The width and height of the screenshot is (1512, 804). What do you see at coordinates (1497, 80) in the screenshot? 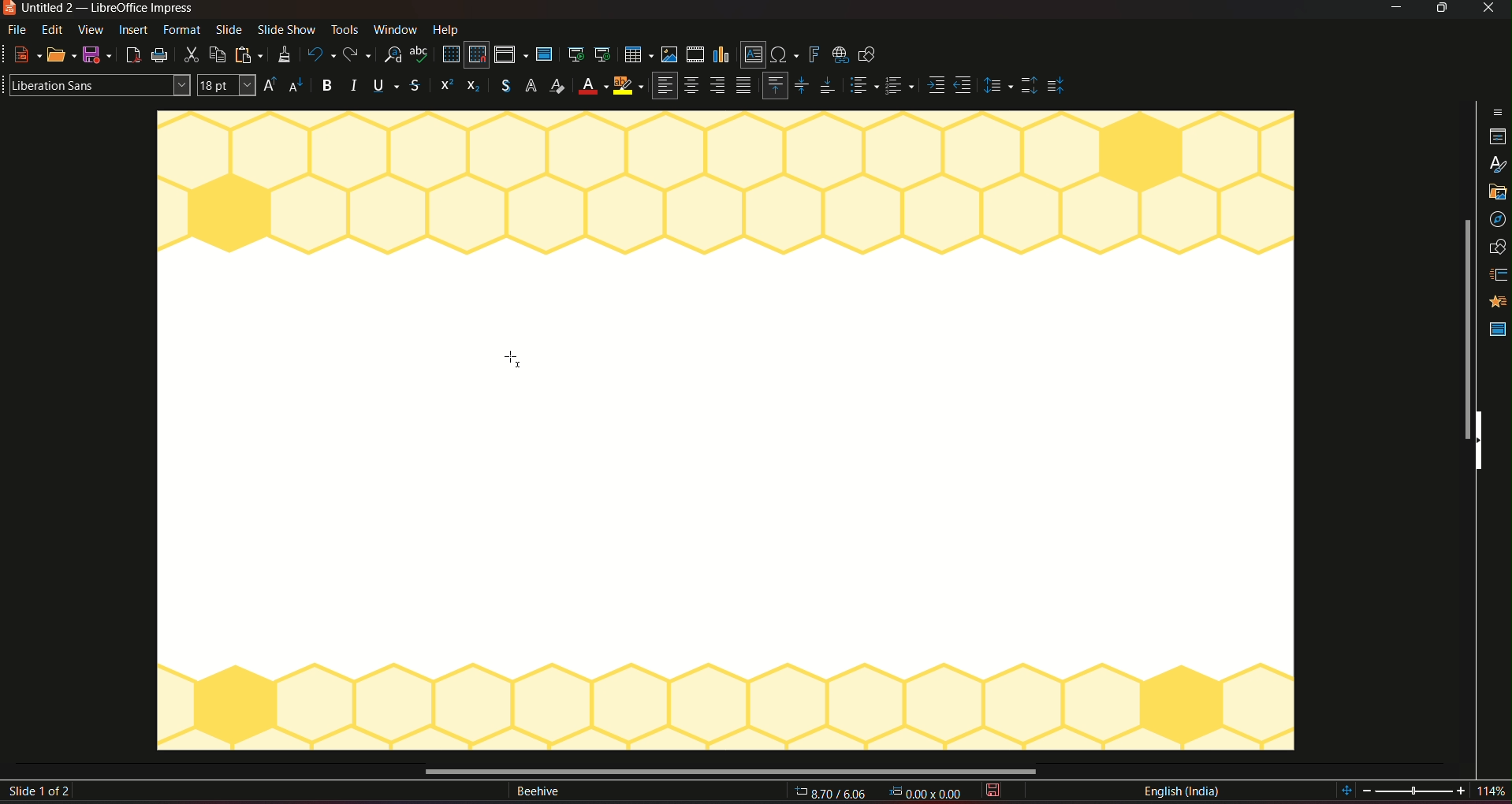
I see `sidebar settings` at bounding box center [1497, 80].